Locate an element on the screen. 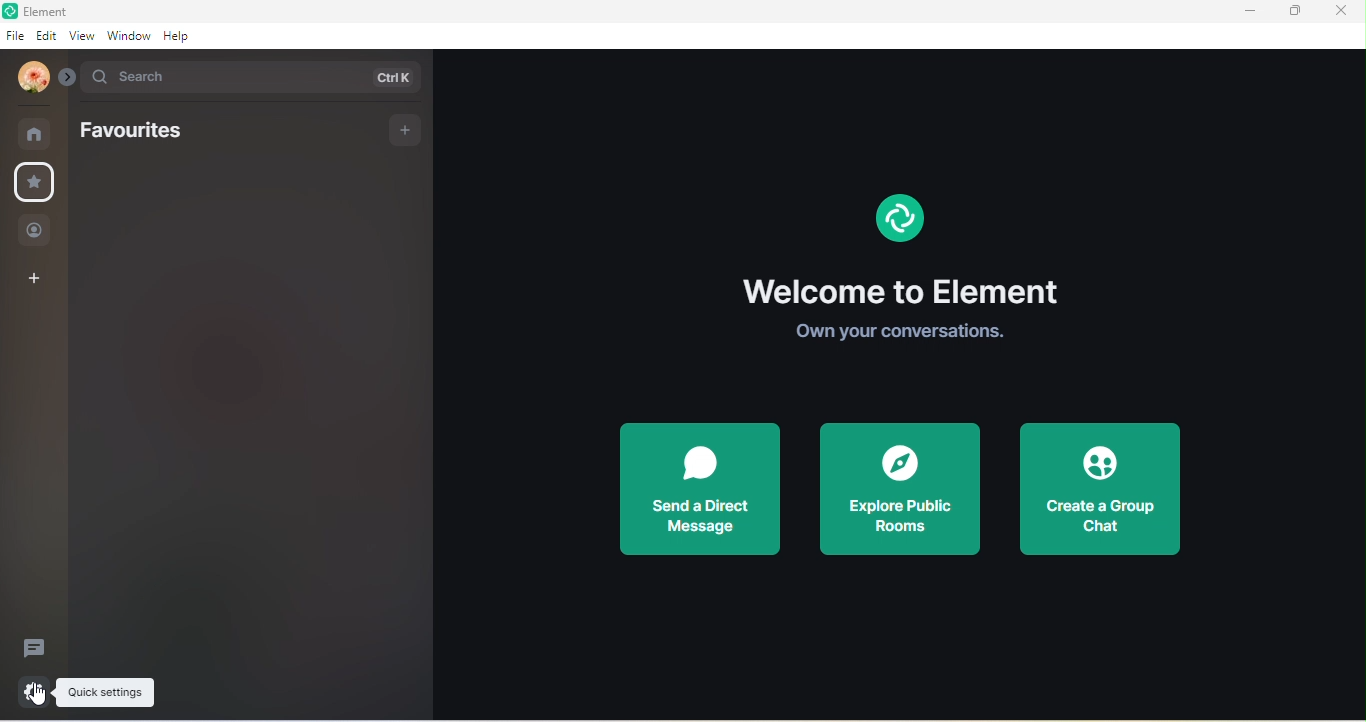 The height and width of the screenshot is (722, 1366). threads is located at coordinates (38, 647).